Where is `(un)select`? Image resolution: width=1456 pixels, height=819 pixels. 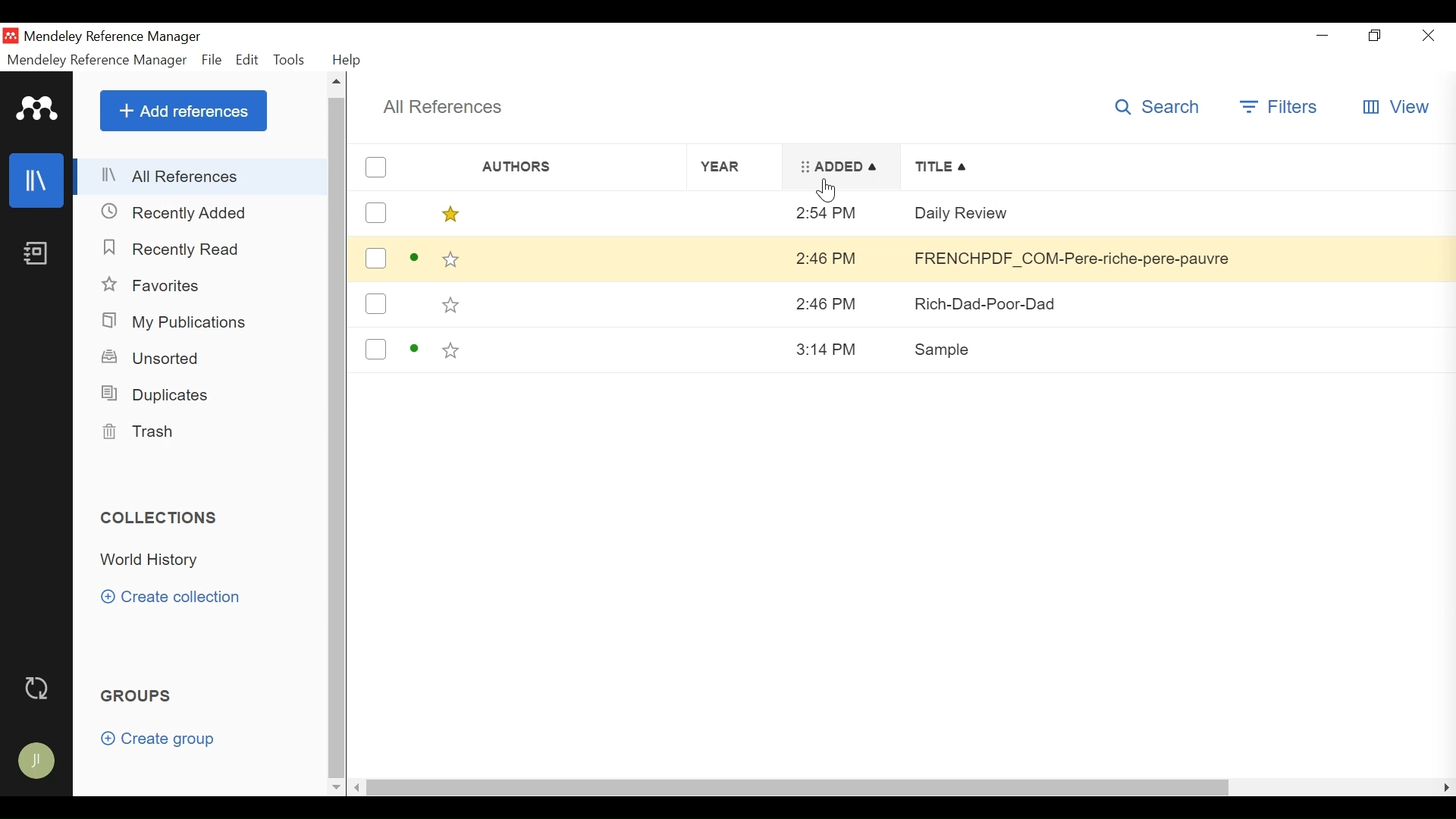
(un)select is located at coordinates (375, 303).